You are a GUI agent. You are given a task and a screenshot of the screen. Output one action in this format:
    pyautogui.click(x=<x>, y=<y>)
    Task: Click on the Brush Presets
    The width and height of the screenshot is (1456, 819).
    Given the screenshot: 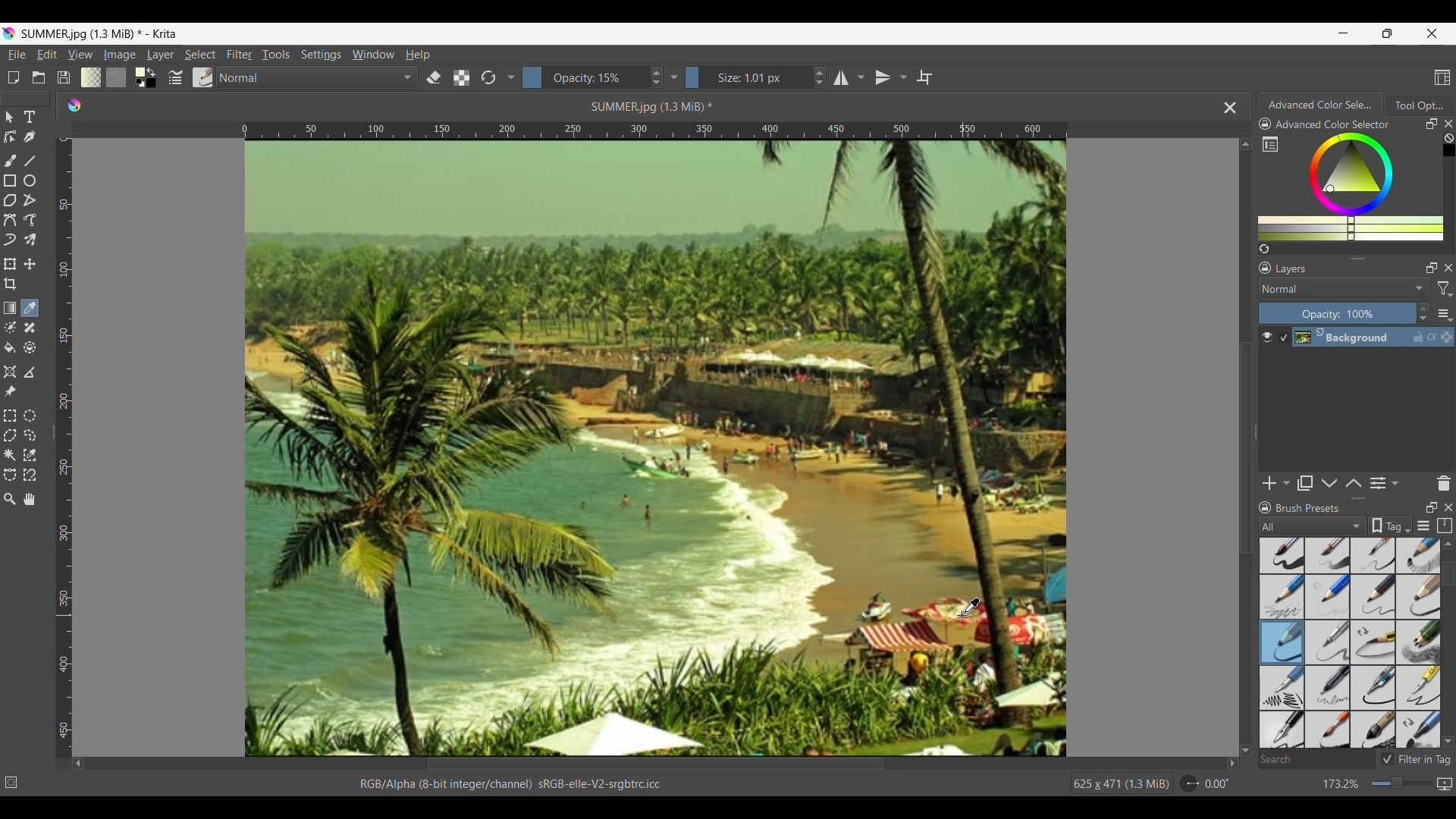 What is the action you would take?
    pyautogui.click(x=1308, y=508)
    